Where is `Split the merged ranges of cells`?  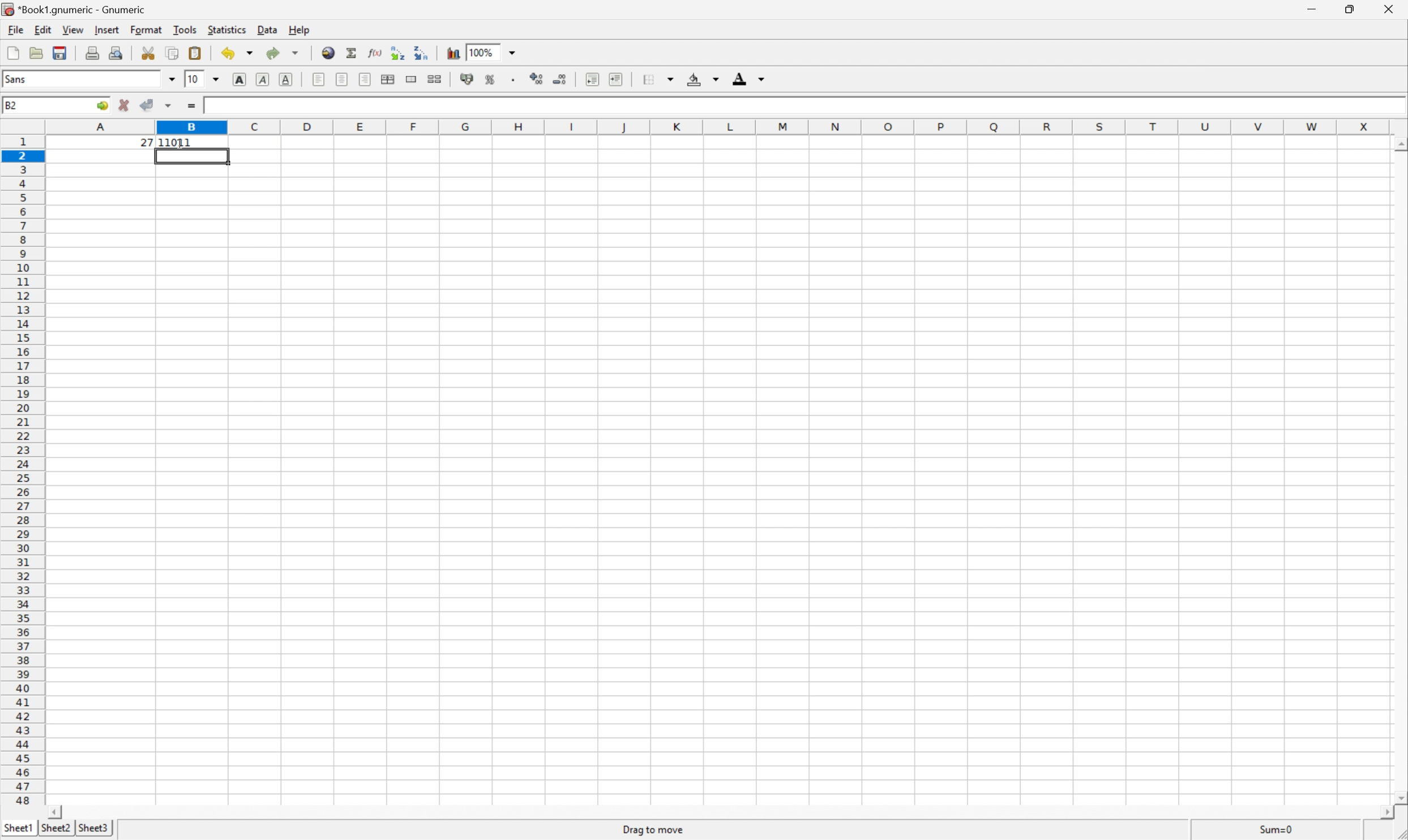 Split the merged ranges of cells is located at coordinates (434, 79).